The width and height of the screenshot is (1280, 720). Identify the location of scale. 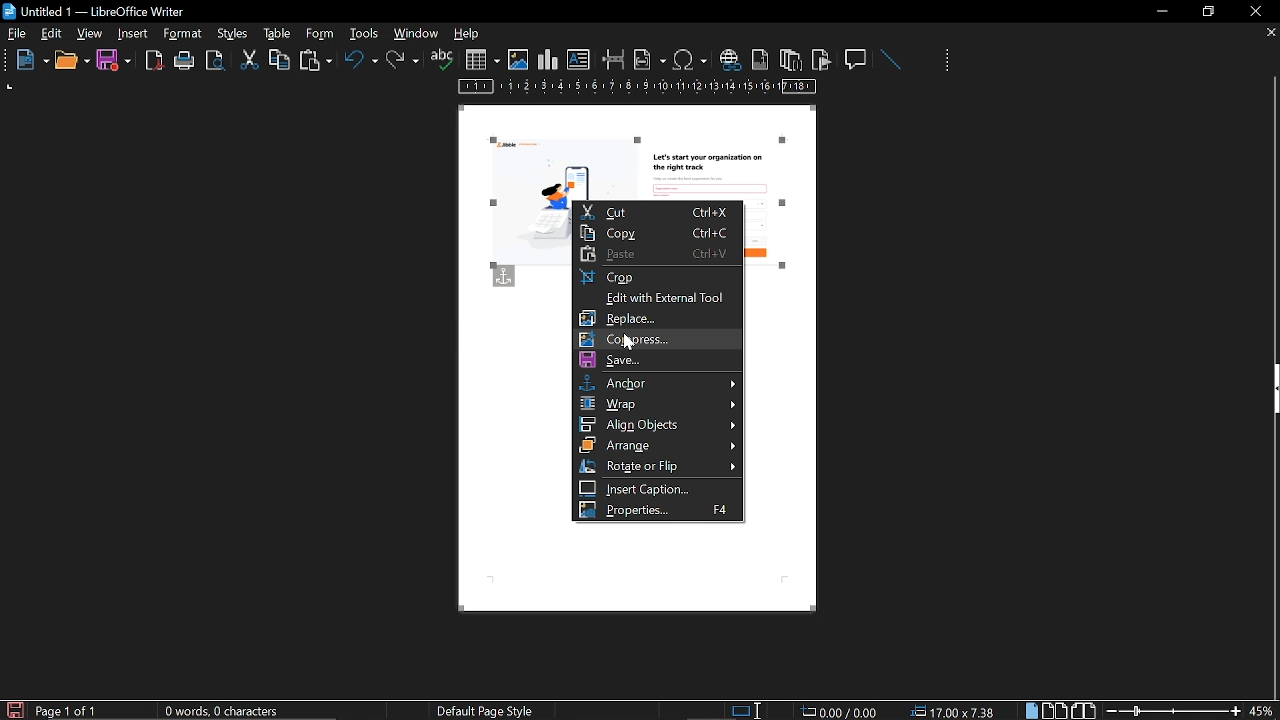
(638, 88).